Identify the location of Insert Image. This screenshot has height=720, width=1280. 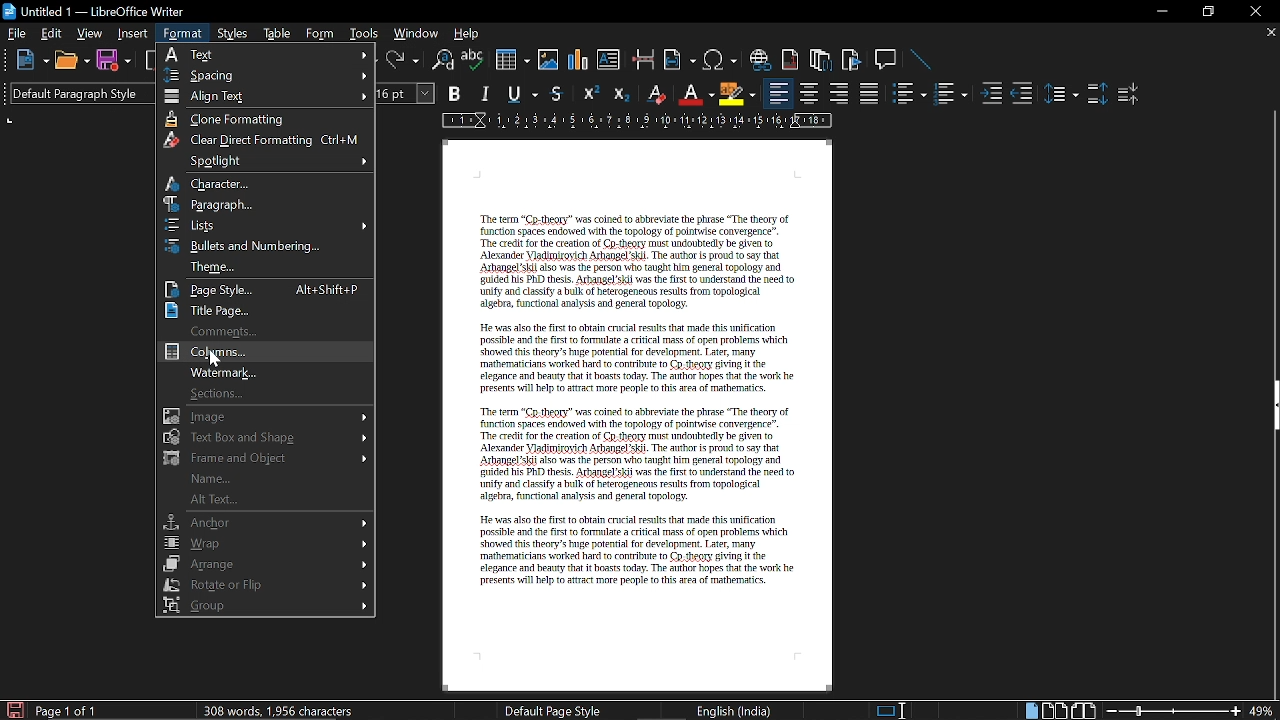
(550, 60).